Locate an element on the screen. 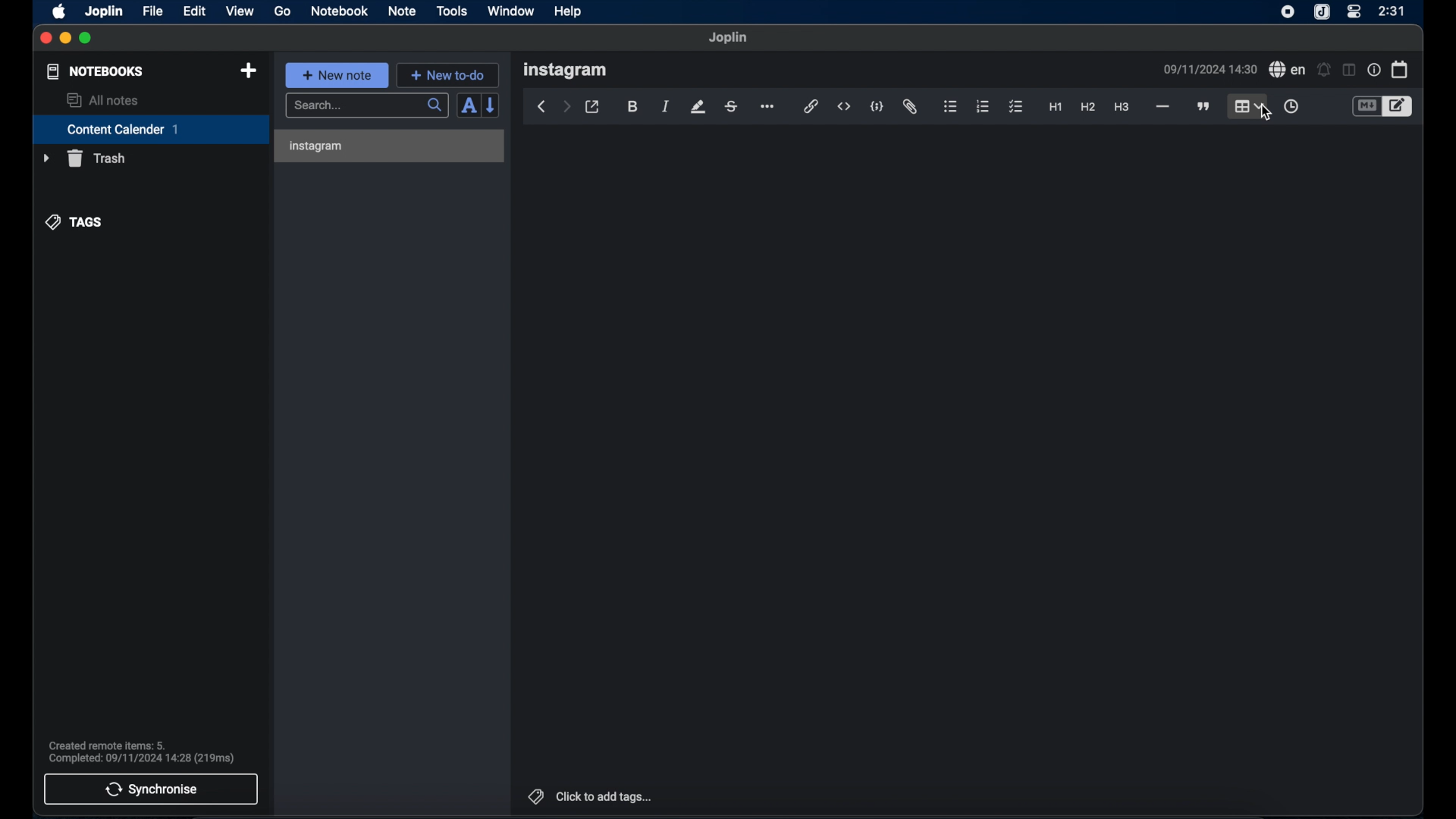  back is located at coordinates (539, 107).